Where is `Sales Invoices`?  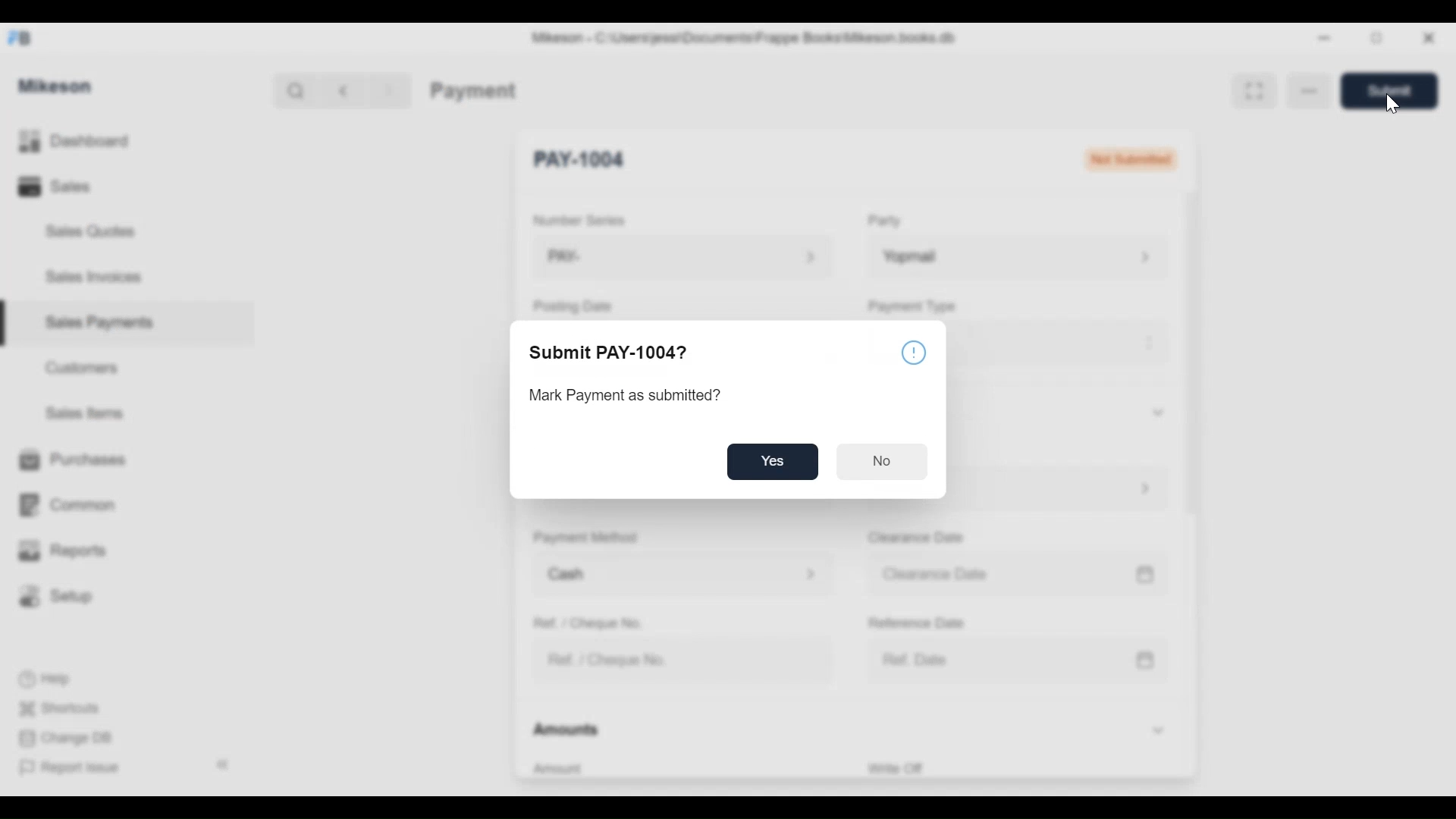
Sales Invoices is located at coordinates (88, 278).